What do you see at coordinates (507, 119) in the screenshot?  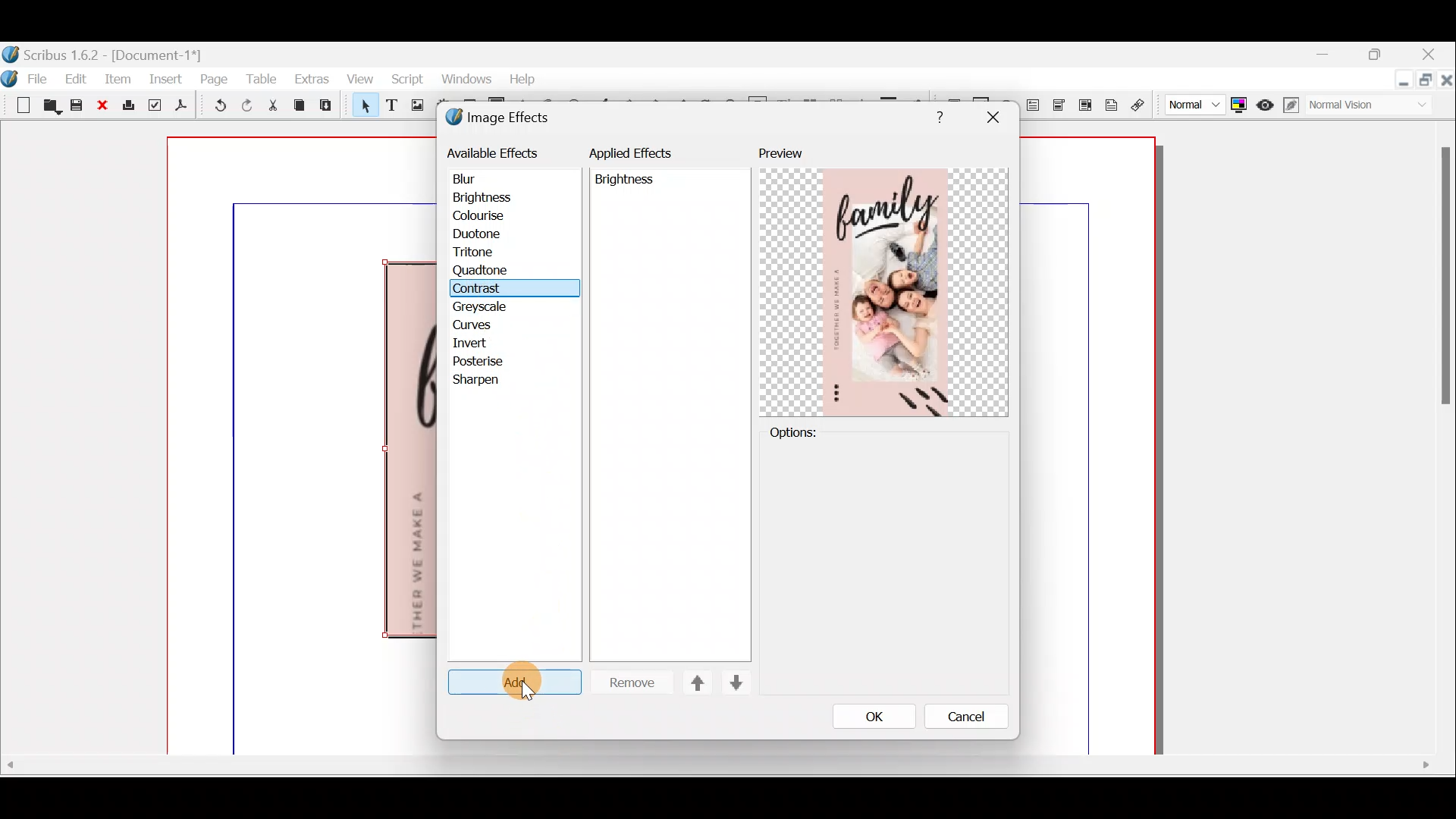 I see `Image effects` at bounding box center [507, 119].